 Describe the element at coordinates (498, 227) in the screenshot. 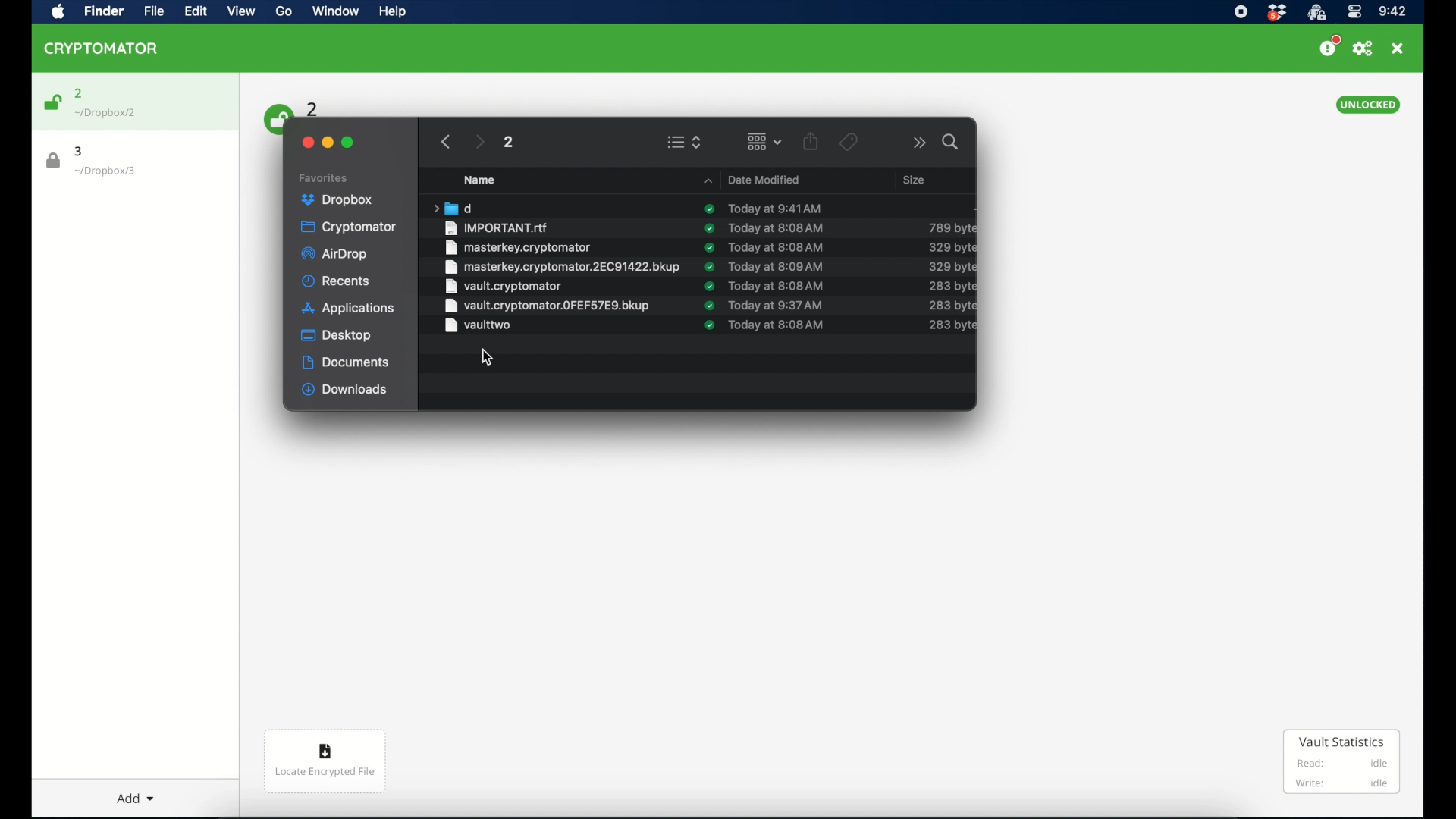

I see `important` at that location.